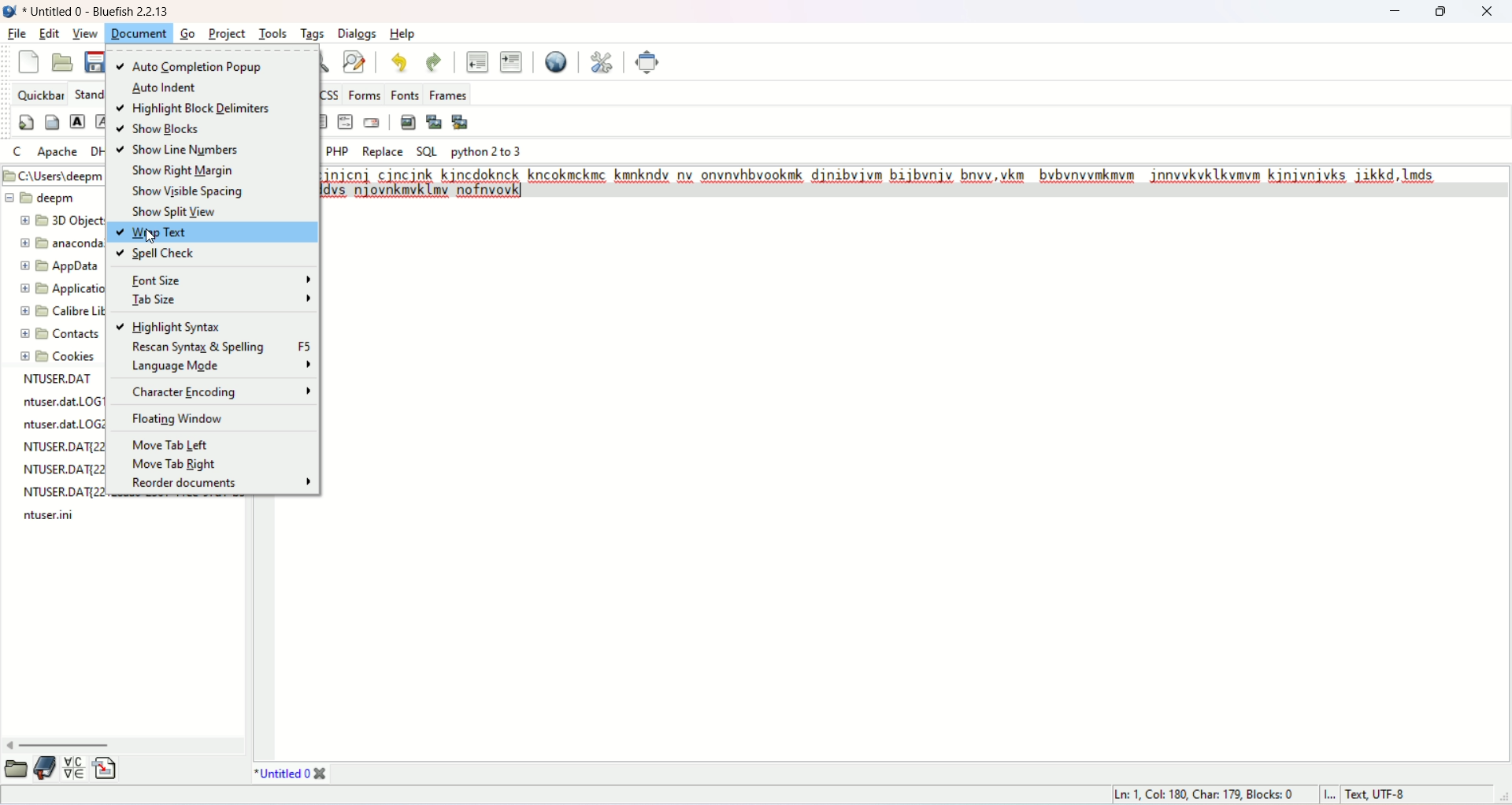  What do you see at coordinates (179, 152) in the screenshot?
I see `show line numers` at bounding box center [179, 152].